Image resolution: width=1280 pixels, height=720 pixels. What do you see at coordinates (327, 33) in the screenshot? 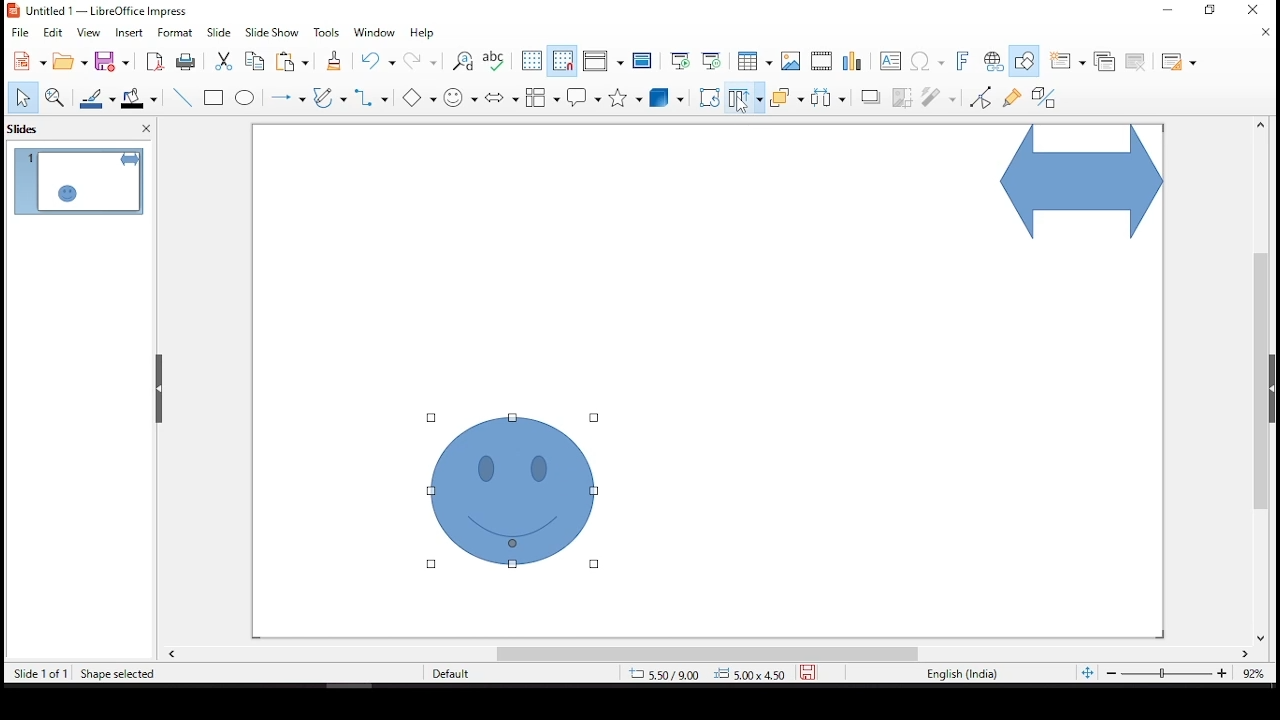
I see `tools` at bounding box center [327, 33].